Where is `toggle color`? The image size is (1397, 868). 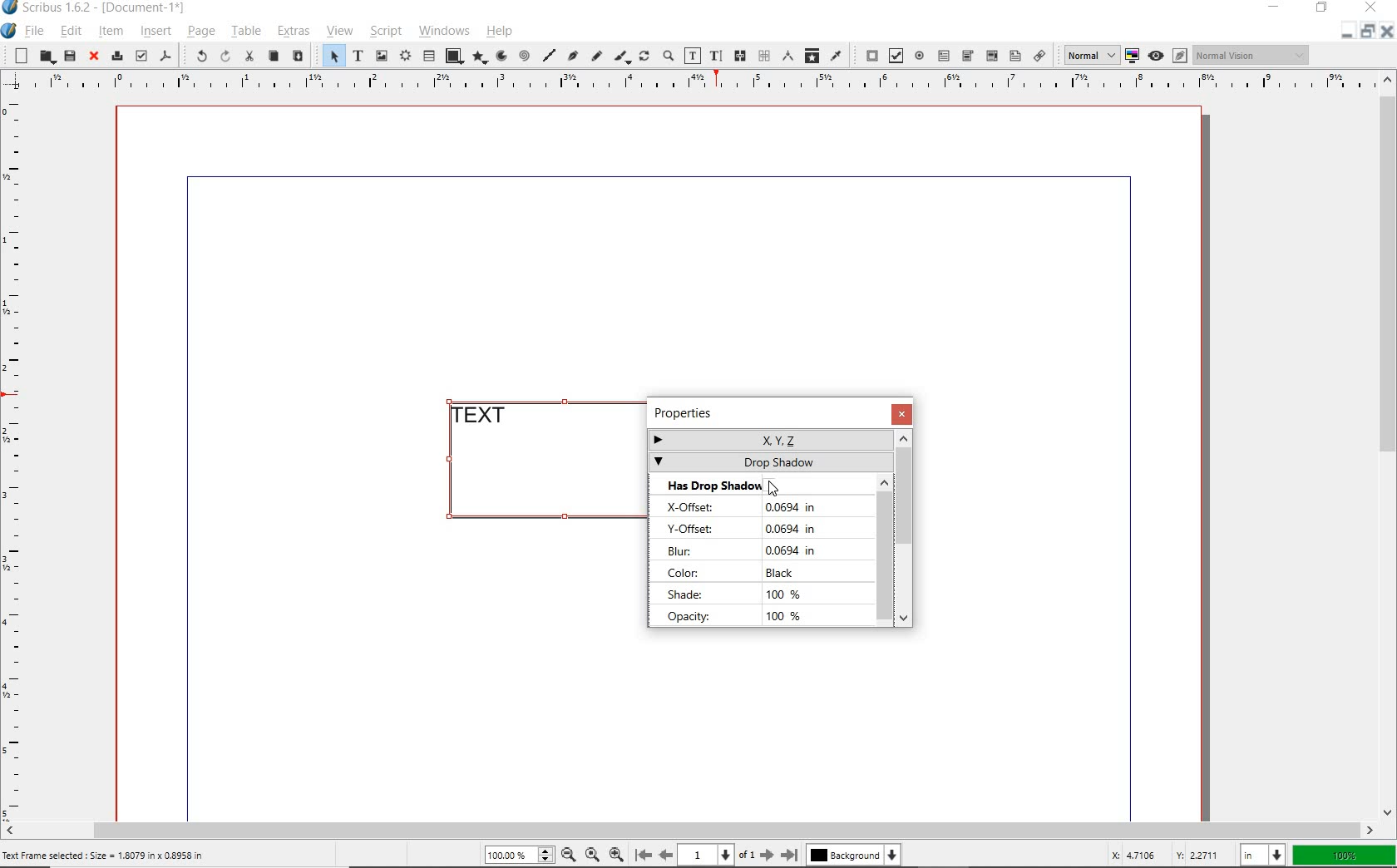
toggle color is located at coordinates (1133, 55).